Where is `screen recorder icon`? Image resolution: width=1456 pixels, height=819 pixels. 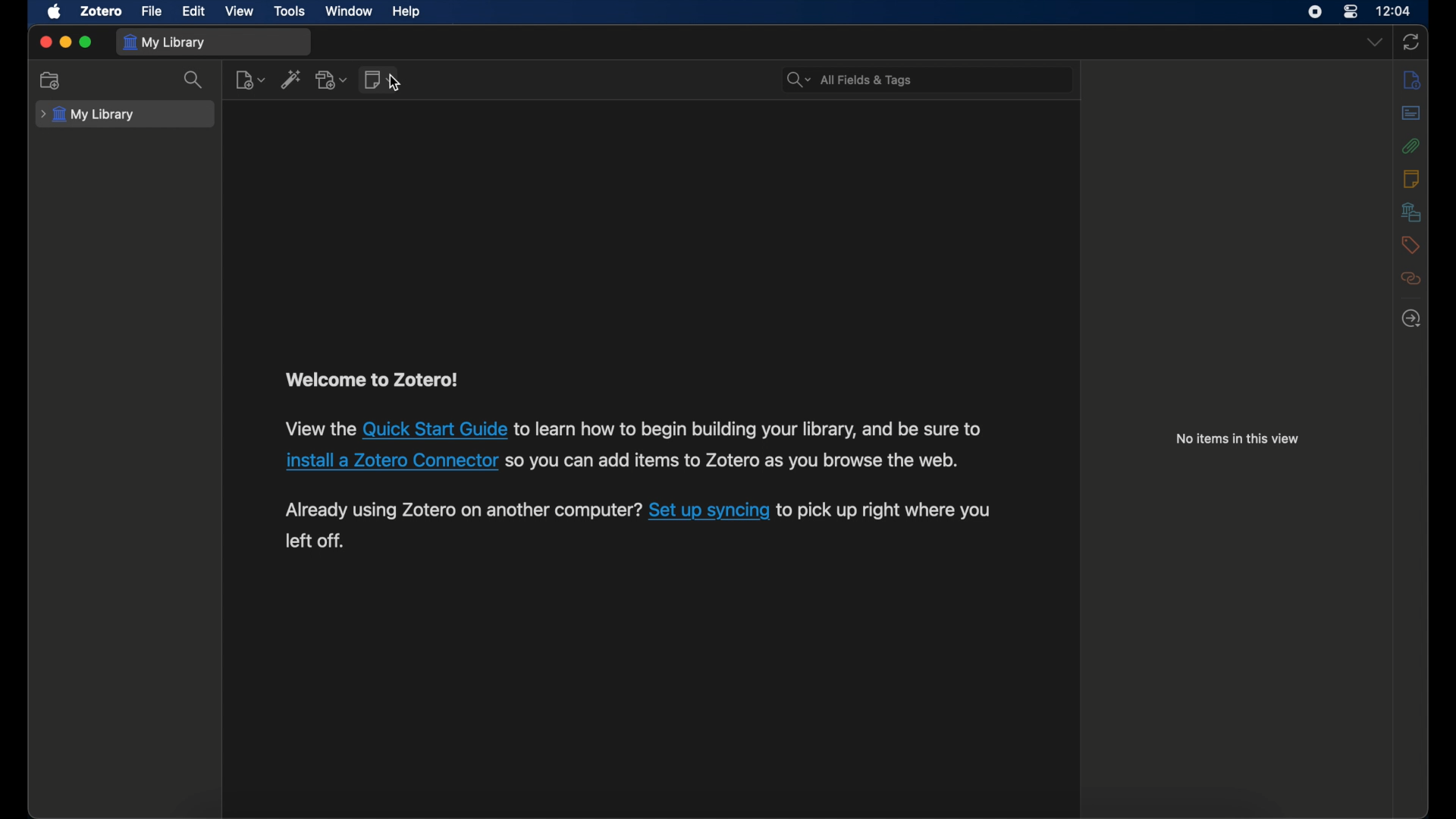
screen recorder icon is located at coordinates (1314, 11).